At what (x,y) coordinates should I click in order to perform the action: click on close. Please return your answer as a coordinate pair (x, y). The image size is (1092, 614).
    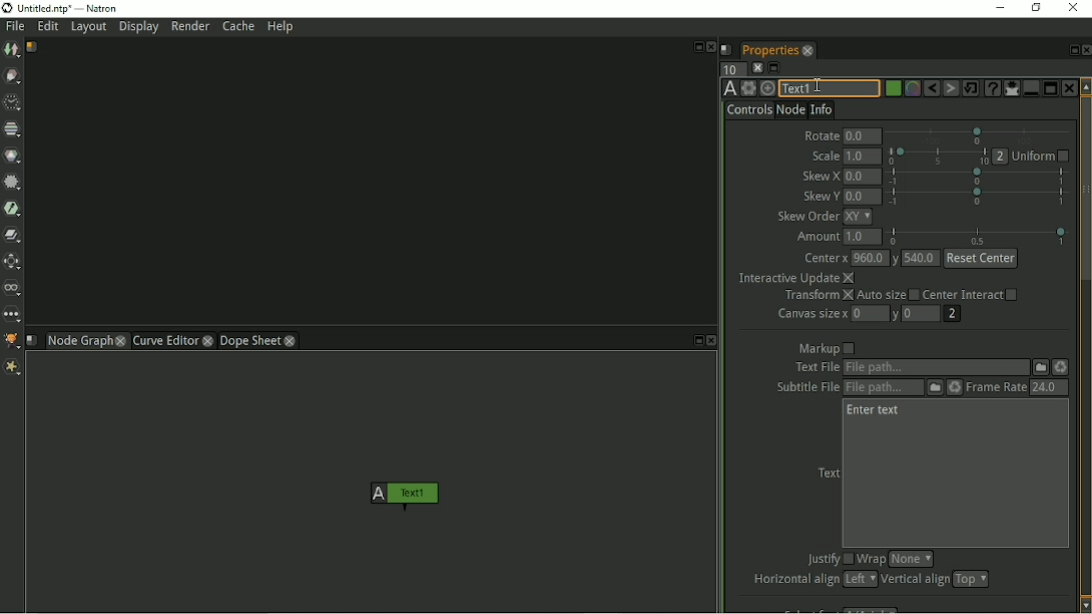
    Looking at the image, I should click on (808, 50).